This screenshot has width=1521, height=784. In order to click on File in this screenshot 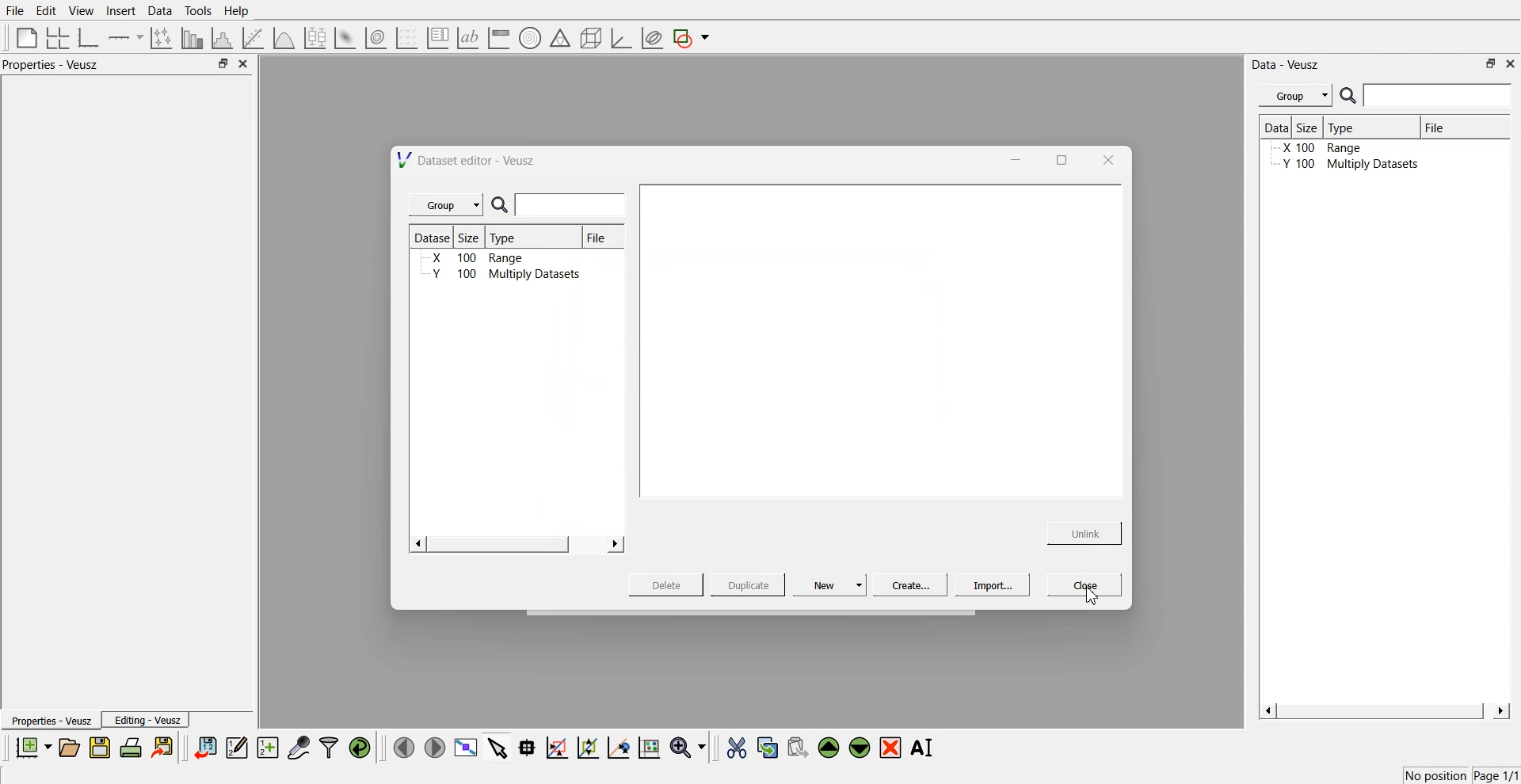, I will do `click(1439, 127)`.